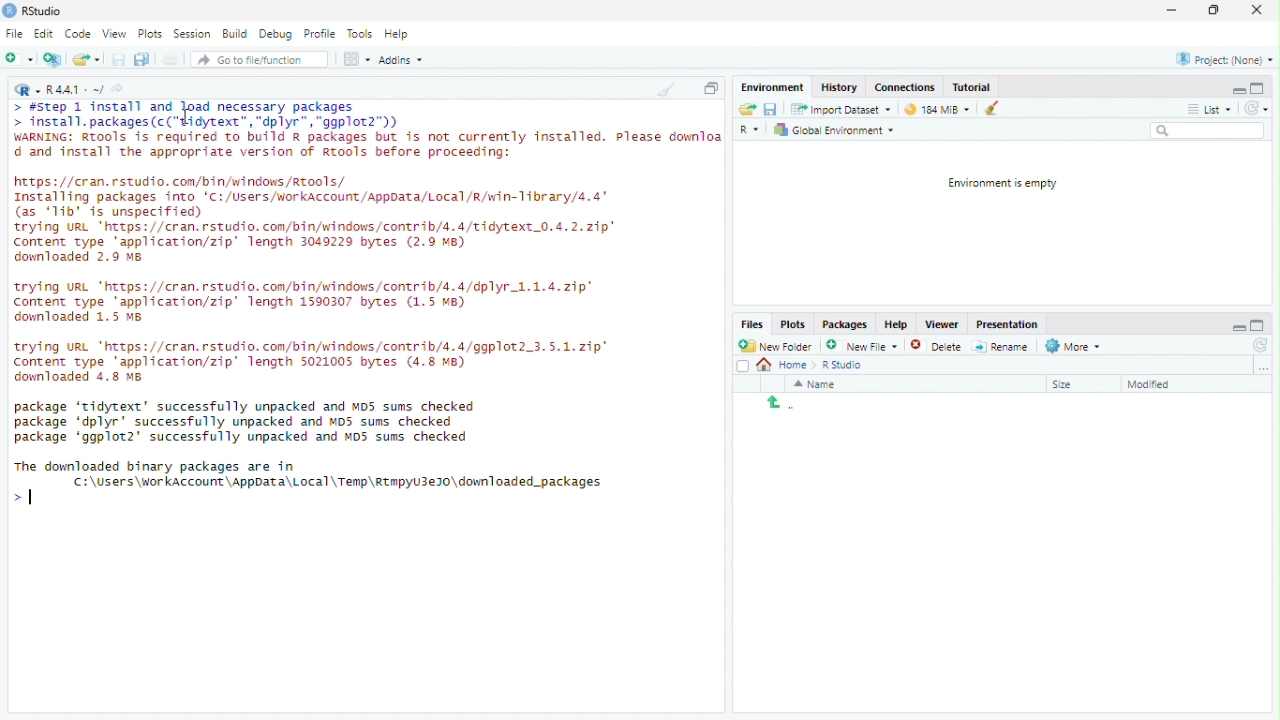 The image size is (1280, 720). Describe the element at coordinates (1237, 89) in the screenshot. I see `Minimize` at that location.